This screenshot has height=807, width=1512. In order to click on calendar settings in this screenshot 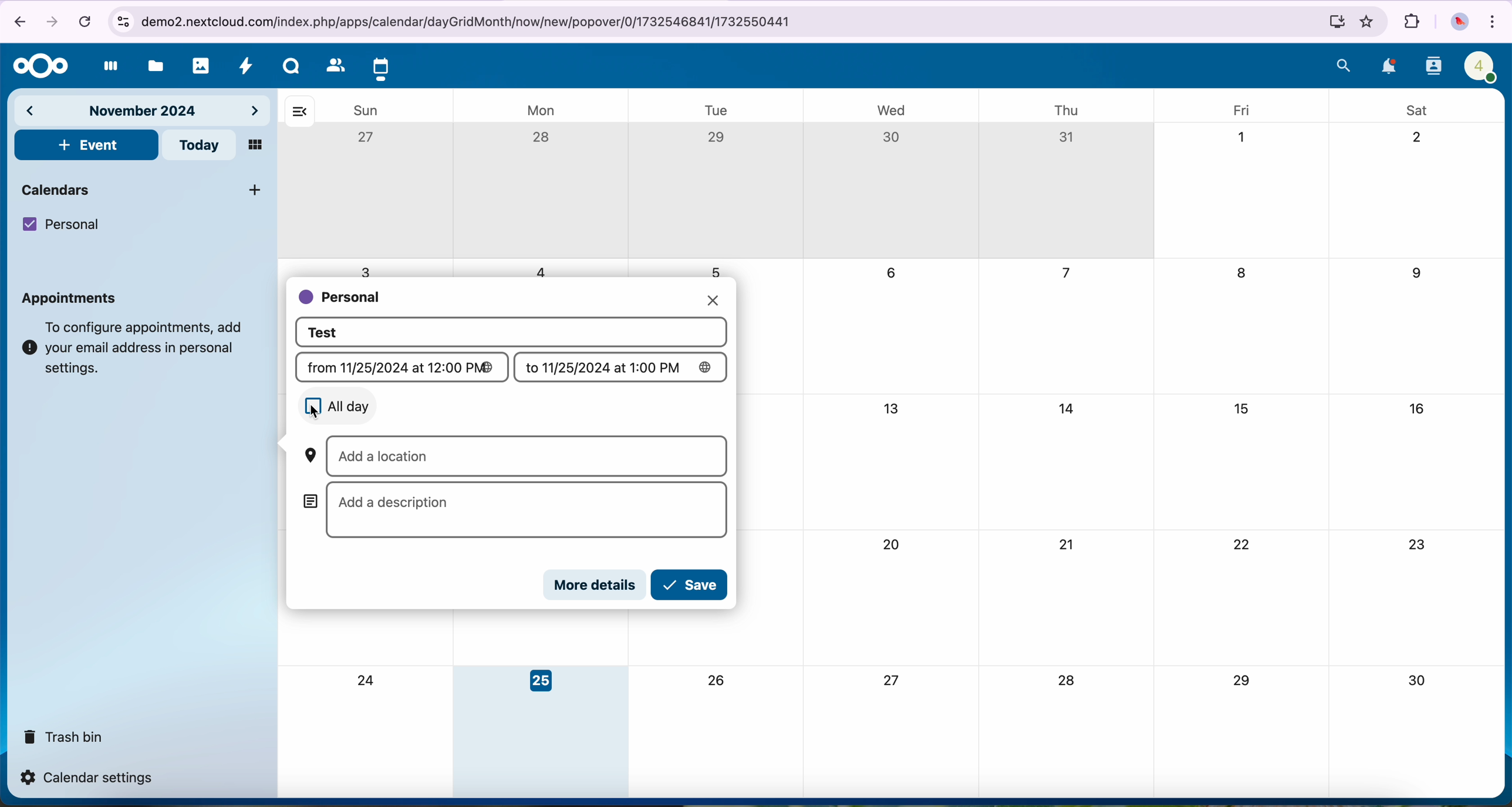, I will do `click(90, 778)`.